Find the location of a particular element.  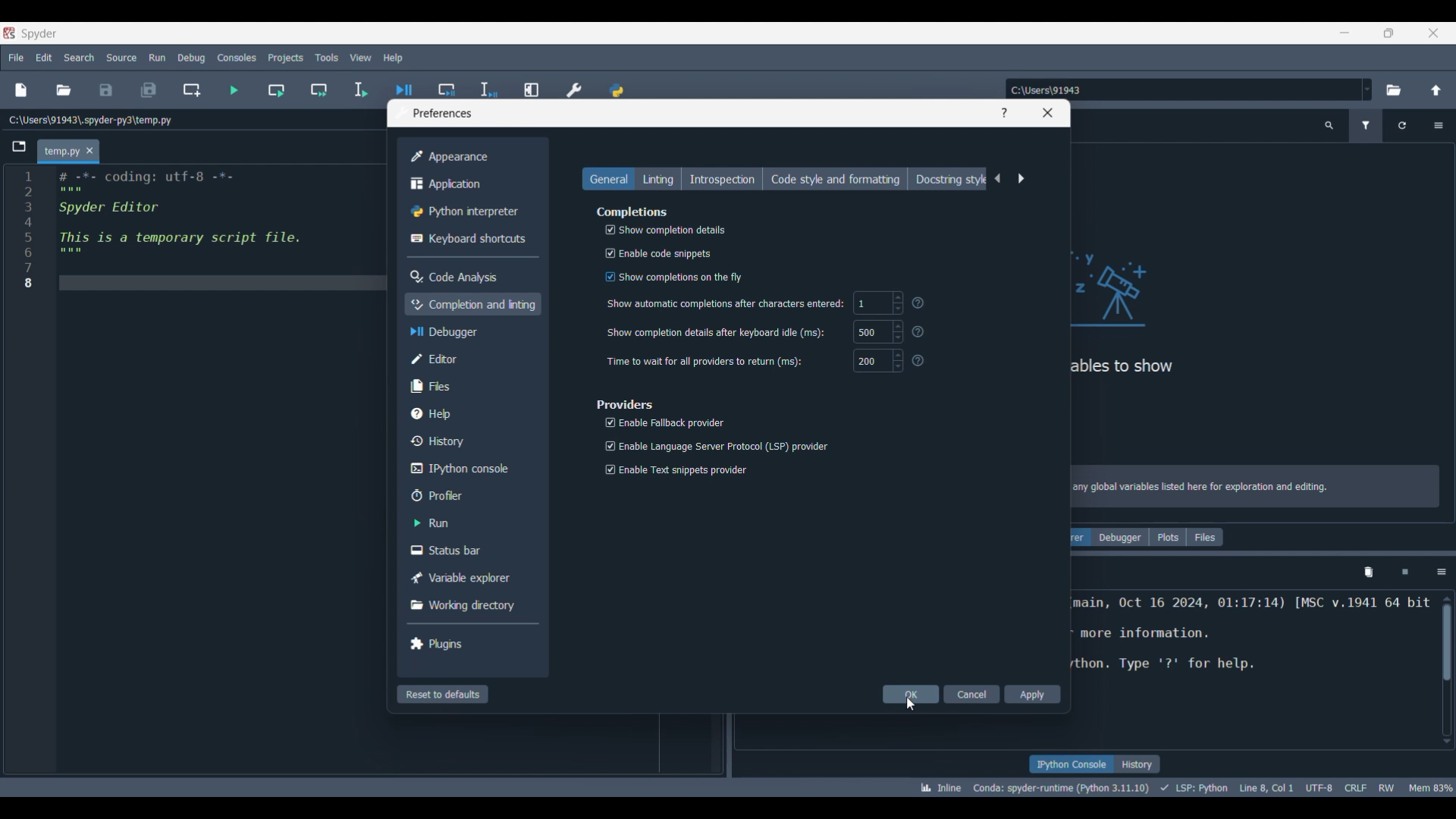

Browse a default directory is located at coordinates (1394, 90).